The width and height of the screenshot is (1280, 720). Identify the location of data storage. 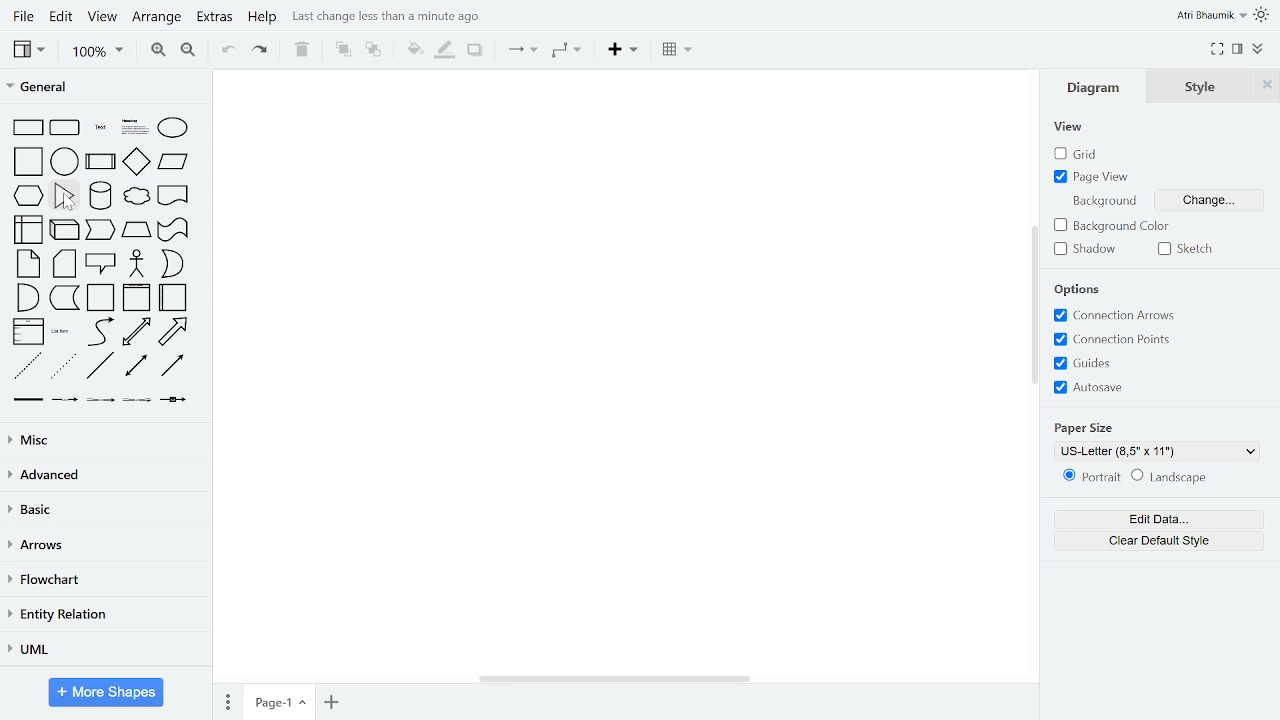
(65, 300).